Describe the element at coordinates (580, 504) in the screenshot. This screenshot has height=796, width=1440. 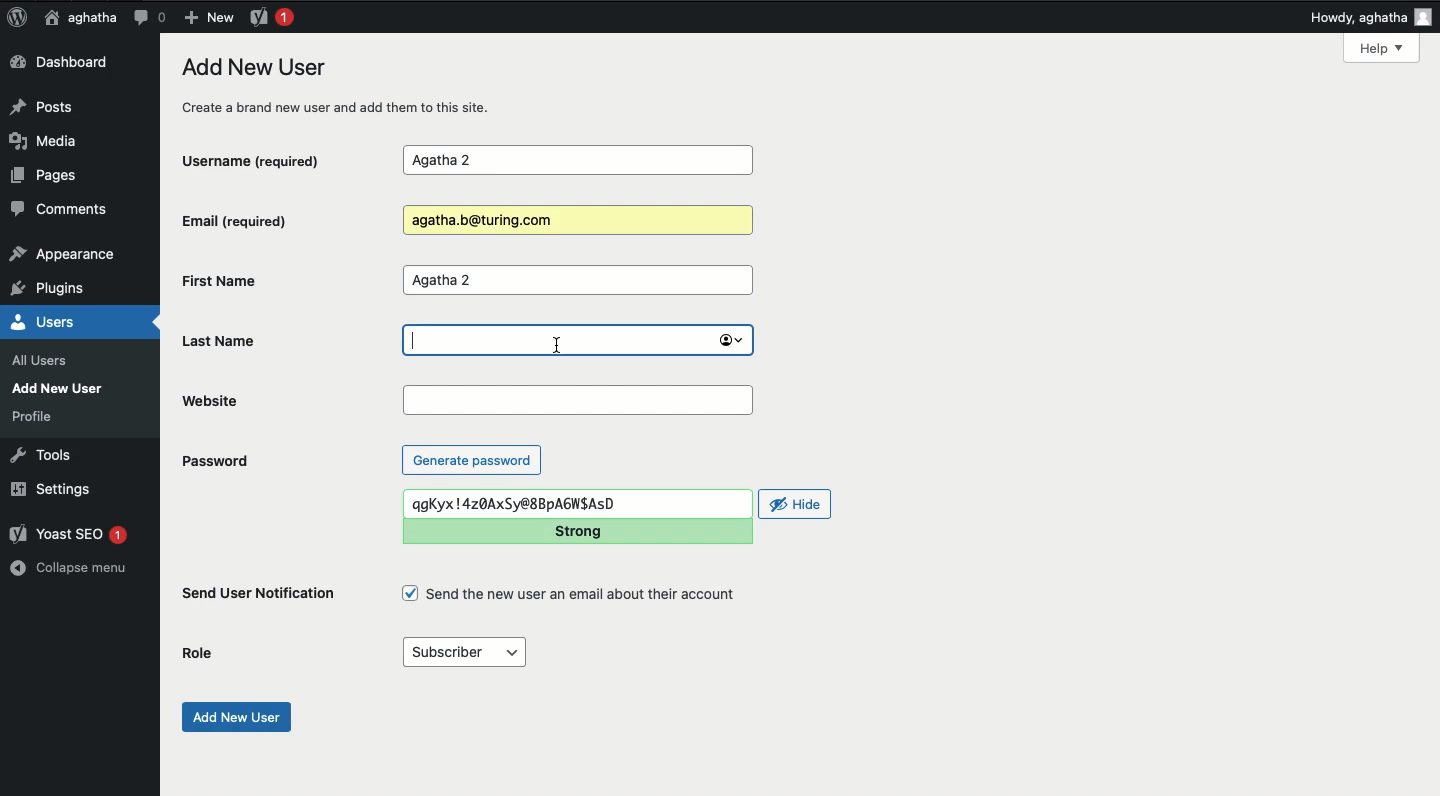
I see `qgKyx !4z0AxSy@8BpA6W$AsD i` at that location.